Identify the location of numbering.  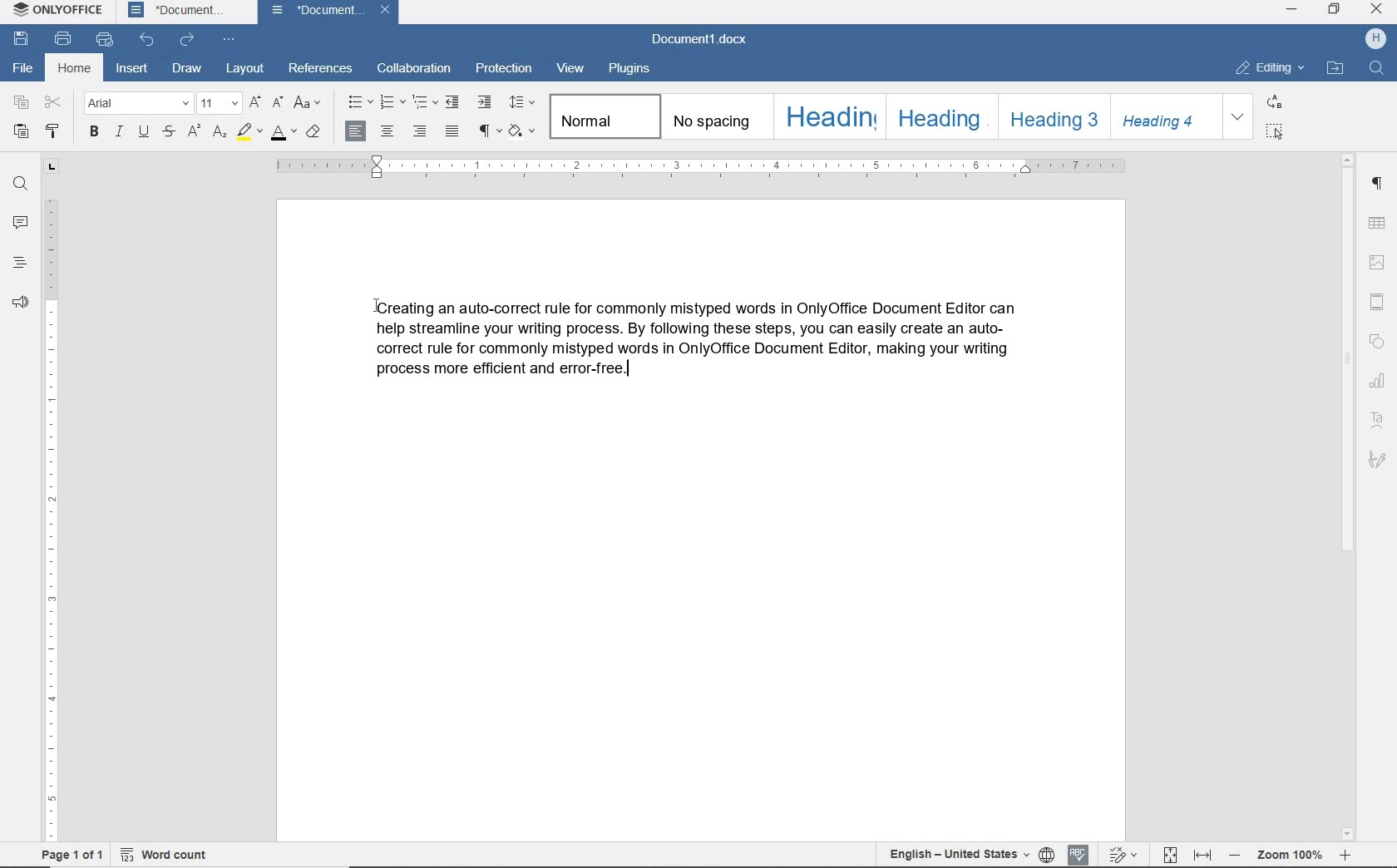
(392, 104).